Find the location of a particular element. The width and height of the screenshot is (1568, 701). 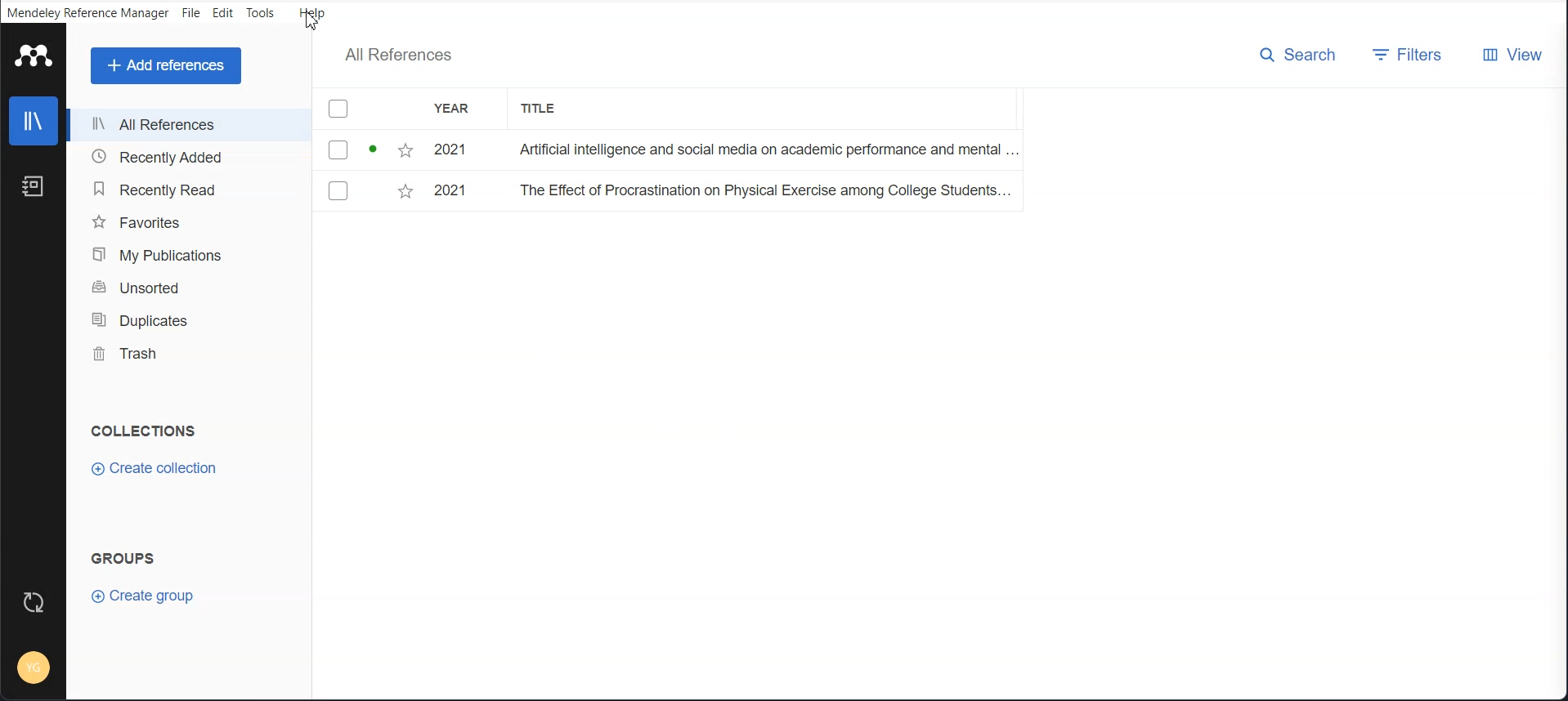

Text is located at coordinates (399, 55).